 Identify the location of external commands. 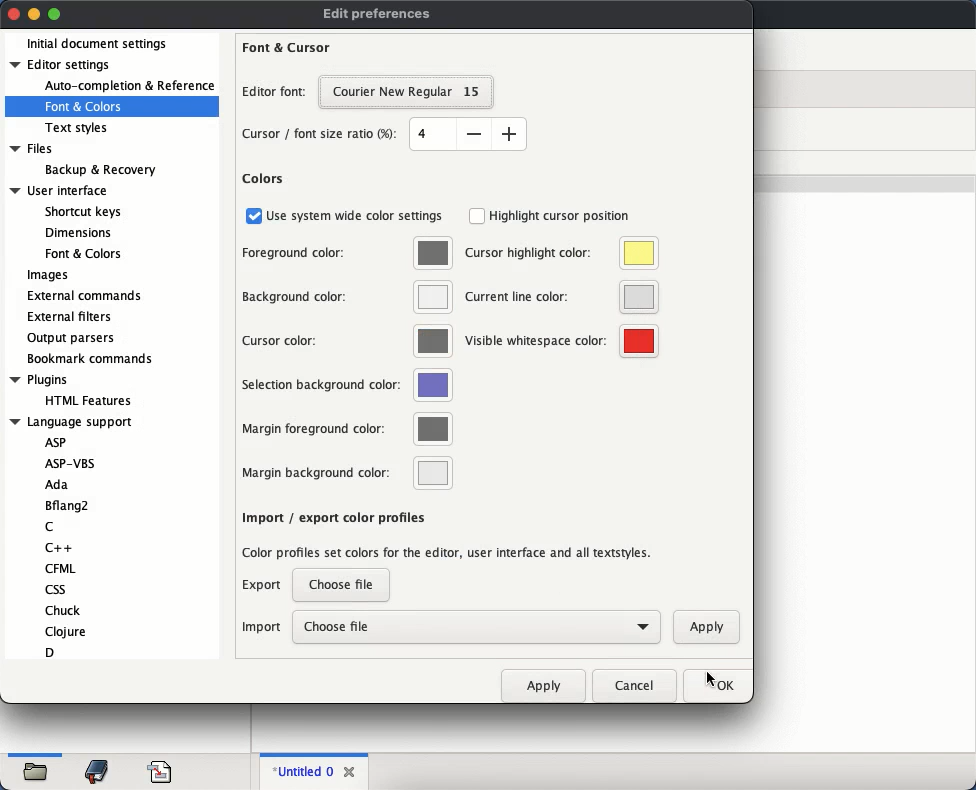
(87, 294).